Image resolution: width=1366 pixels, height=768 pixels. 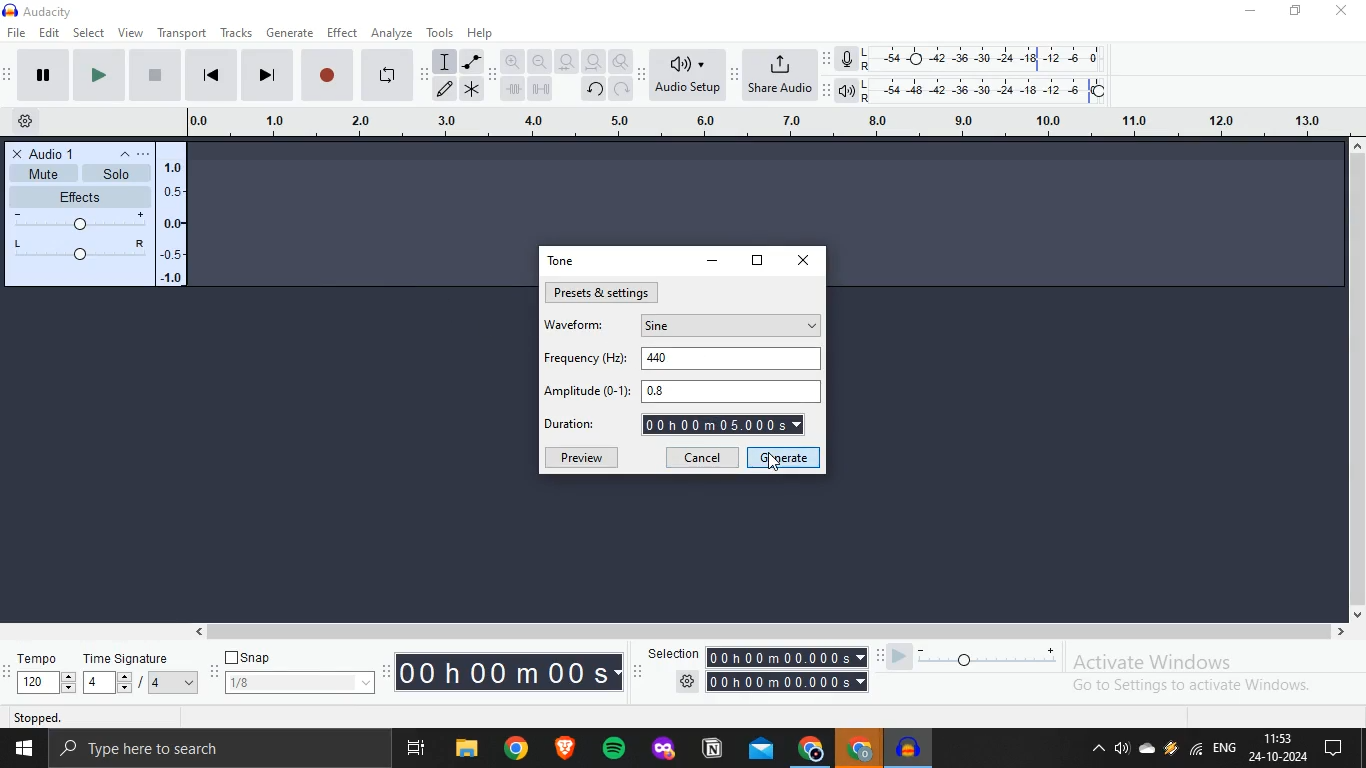 I want to click on LR Mike, so click(x=976, y=60).